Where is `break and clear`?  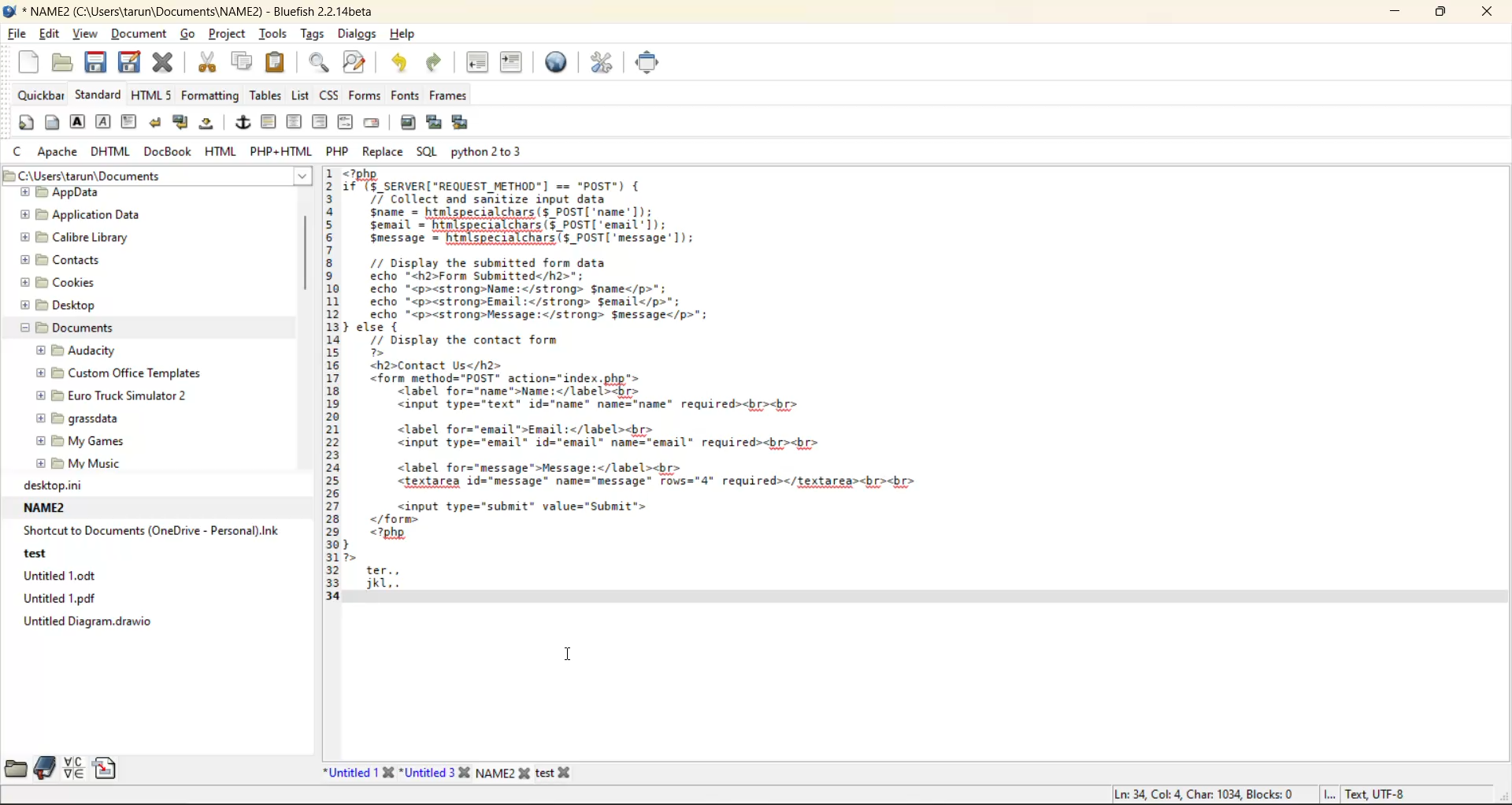
break and clear is located at coordinates (183, 123).